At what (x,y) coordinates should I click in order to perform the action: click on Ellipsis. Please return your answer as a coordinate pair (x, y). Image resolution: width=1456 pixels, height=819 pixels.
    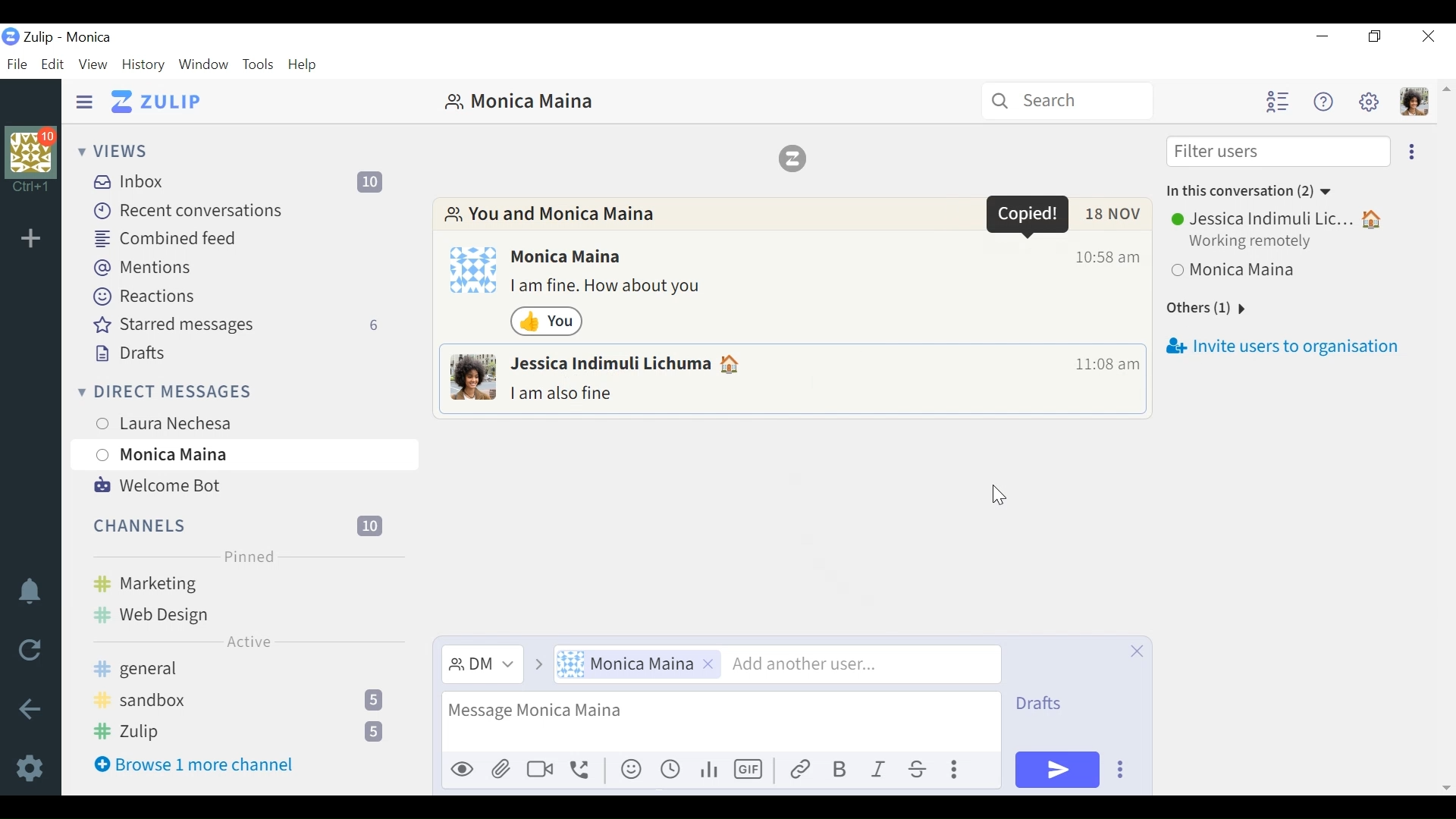
    Looking at the image, I should click on (1128, 770).